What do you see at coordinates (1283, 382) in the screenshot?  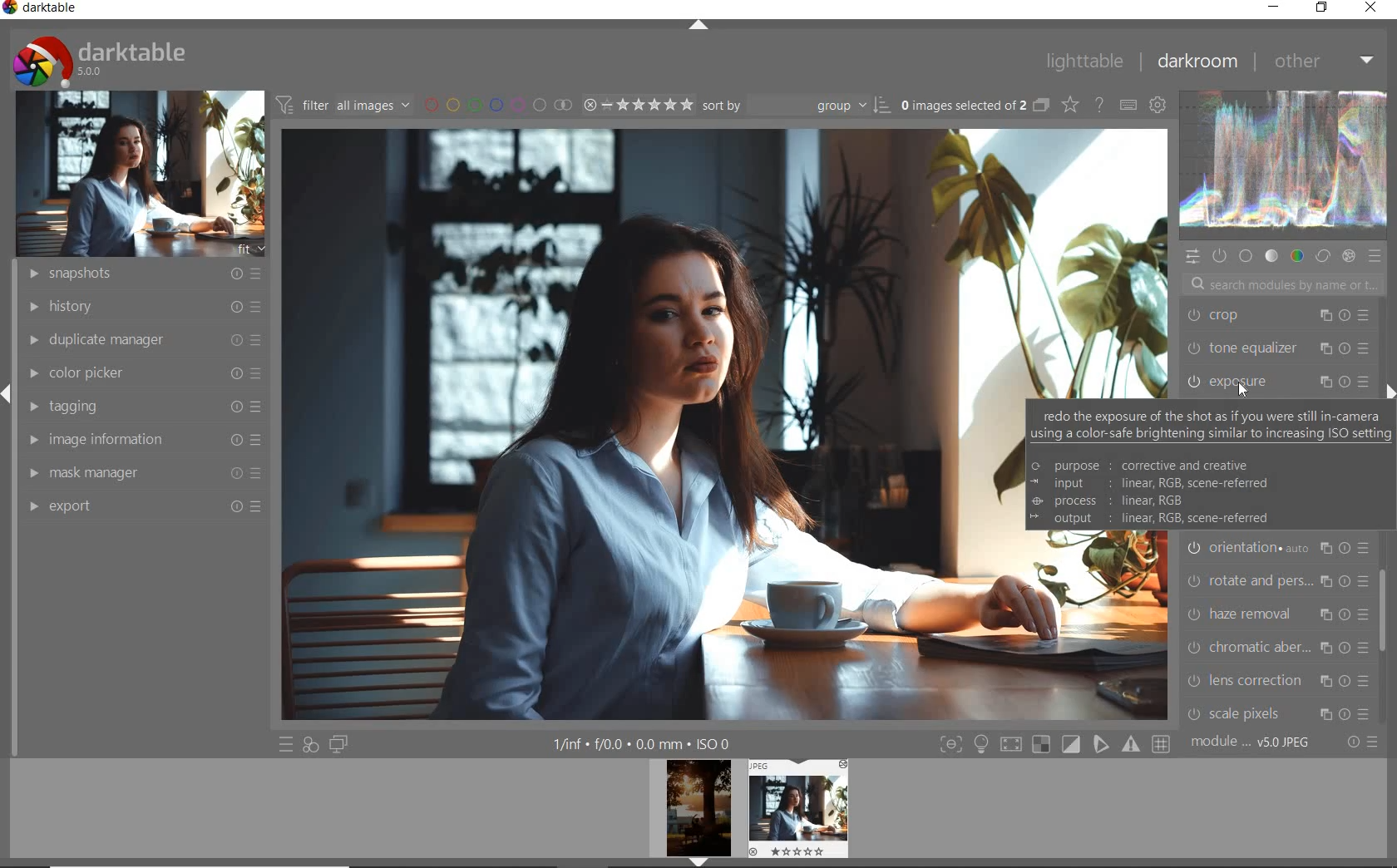 I see `exposure` at bounding box center [1283, 382].